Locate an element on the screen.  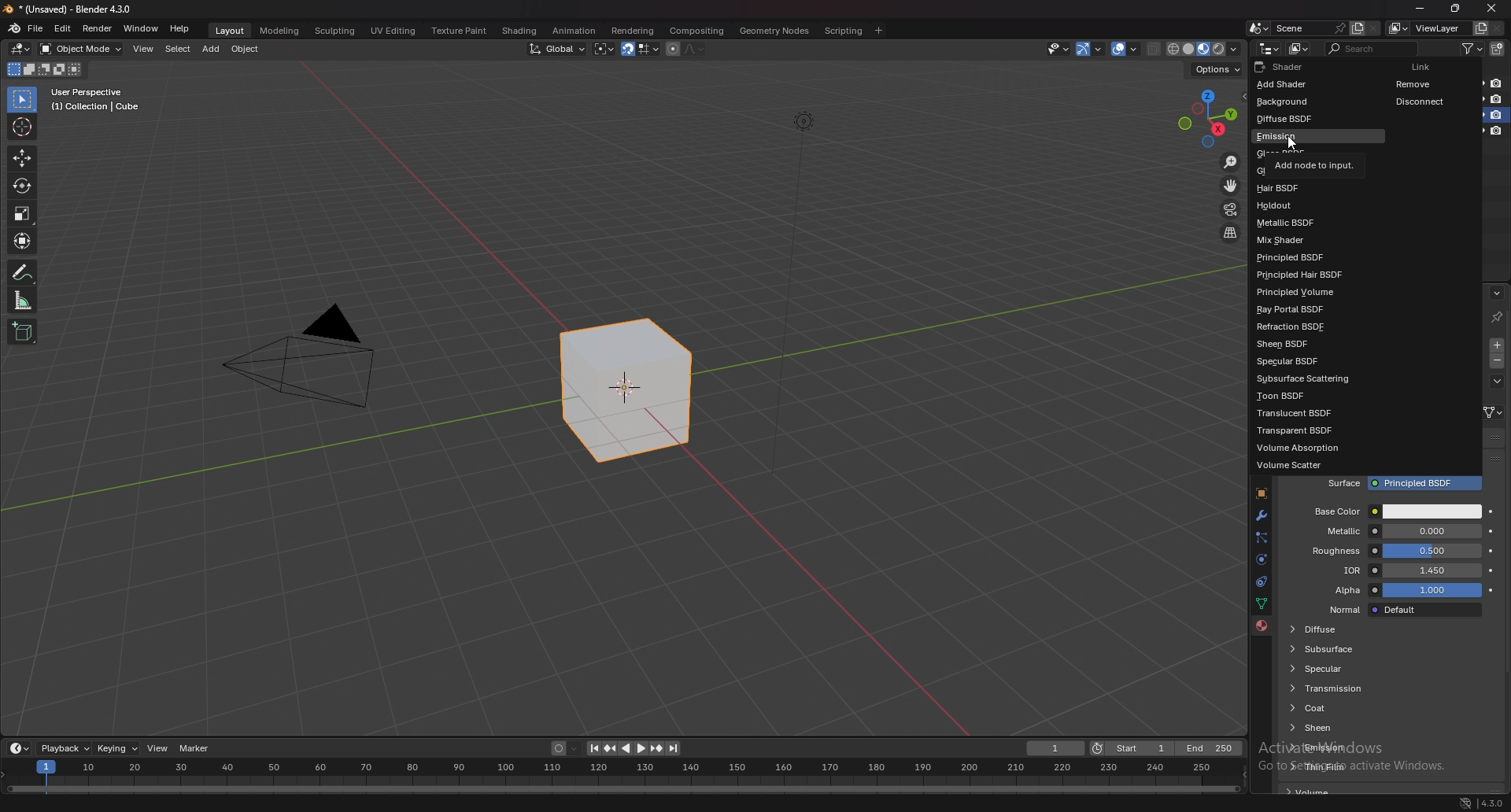
data is located at coordinates (1261, 603).